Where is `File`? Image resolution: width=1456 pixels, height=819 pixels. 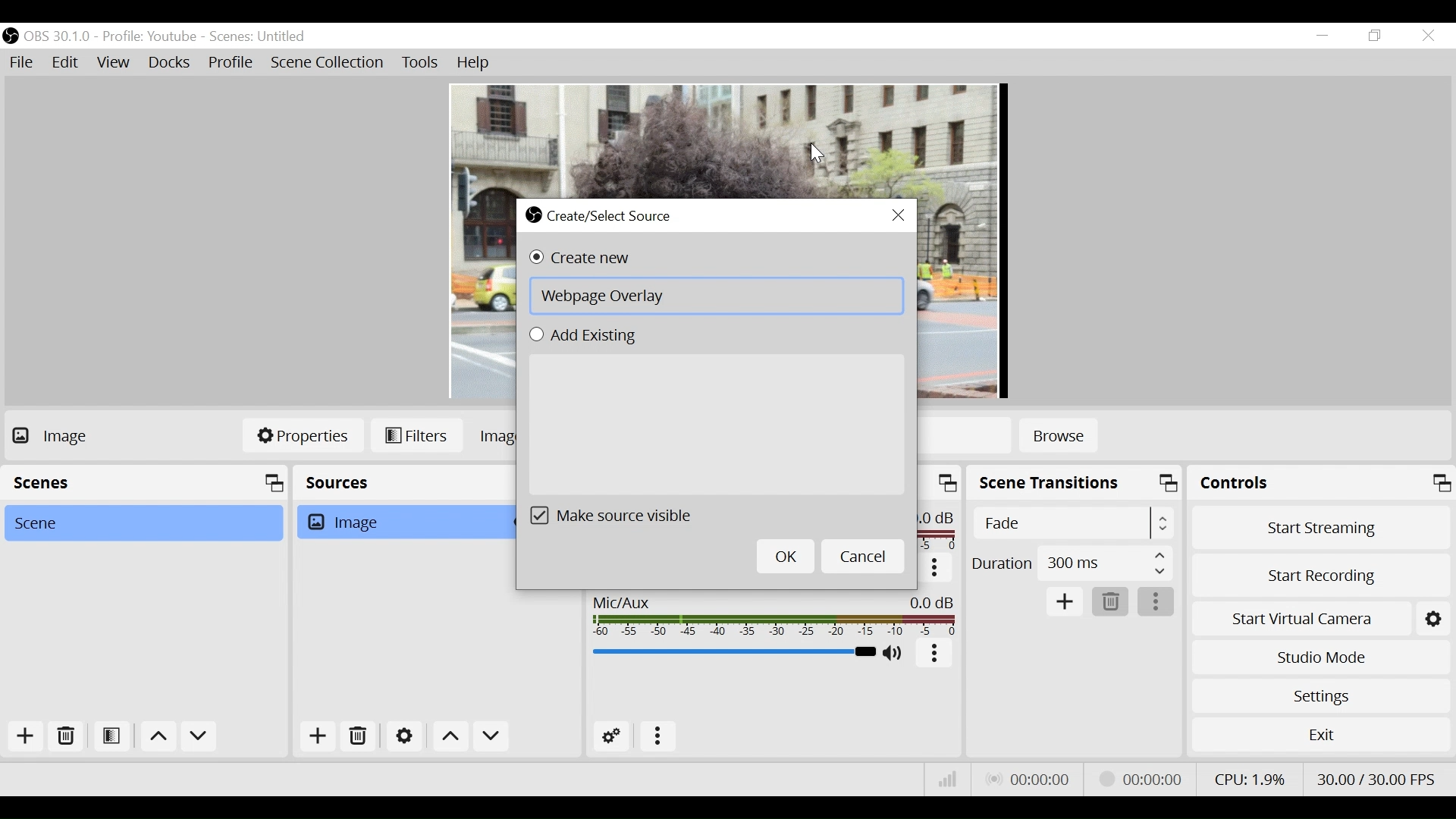
File is located at coordinates (21, 64).